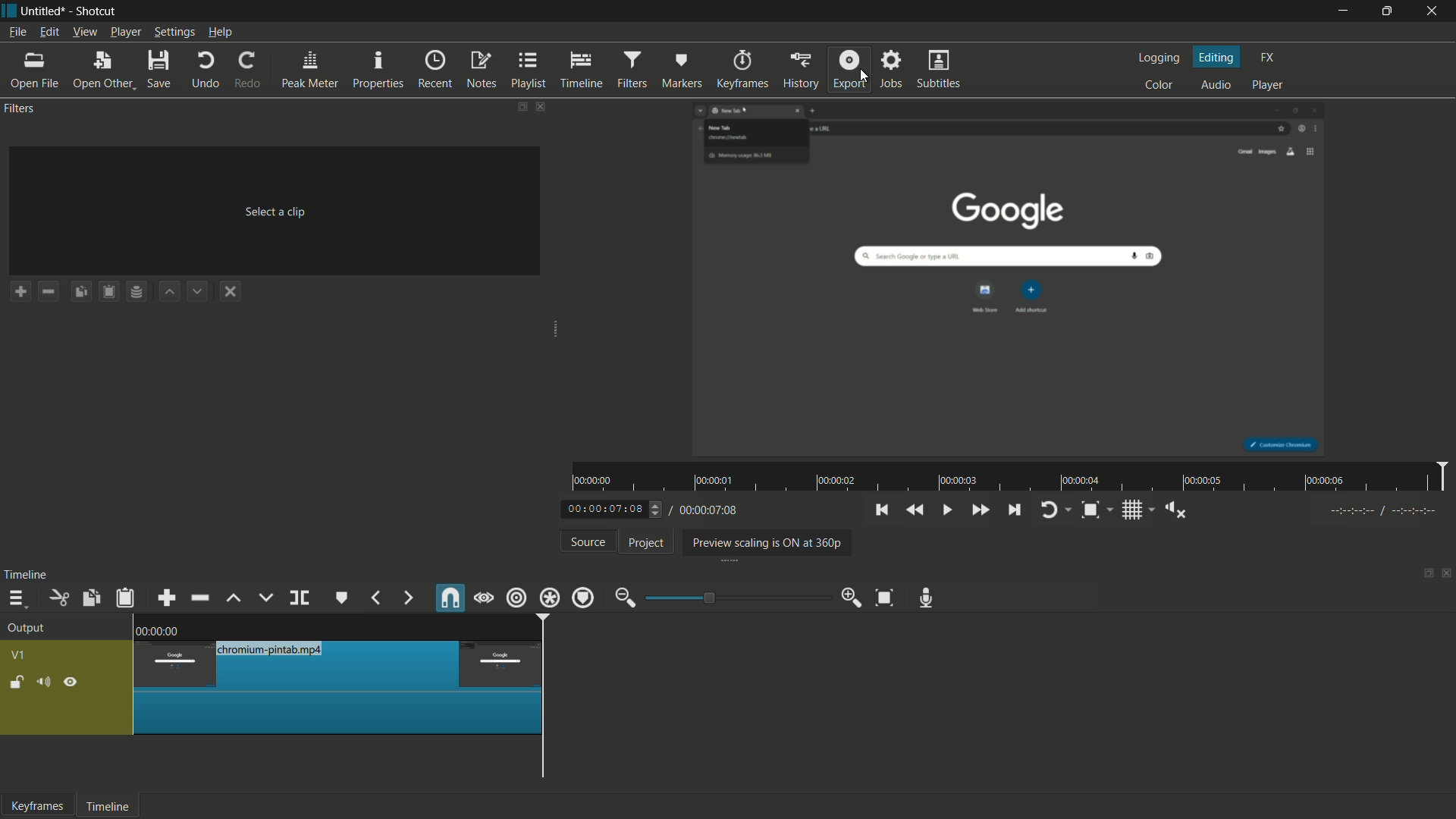 This screenshot has height=819, width=1456. What do you see at coordinates (548, 598) in the screenshot?
I see `ripple all tracks` at bounding box center [548, 598].